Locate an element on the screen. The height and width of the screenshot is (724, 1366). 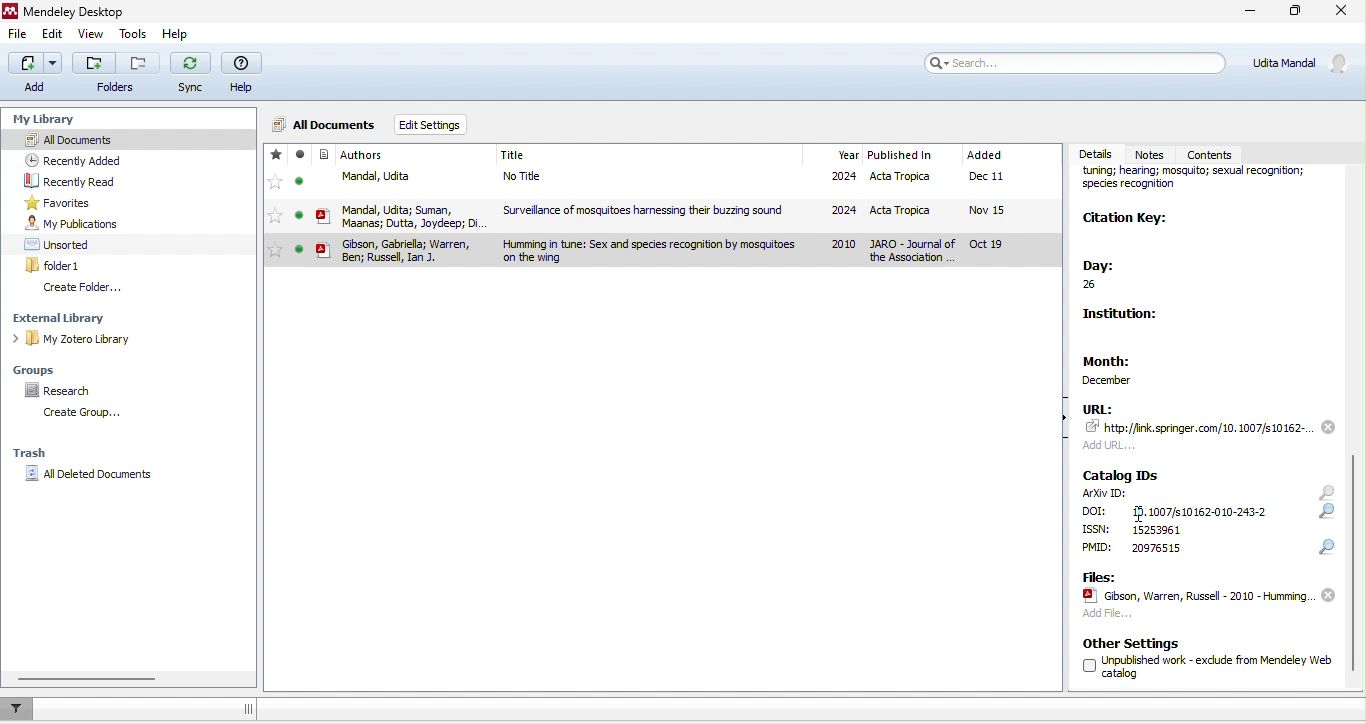
groups is located at coordinates (41, 368).